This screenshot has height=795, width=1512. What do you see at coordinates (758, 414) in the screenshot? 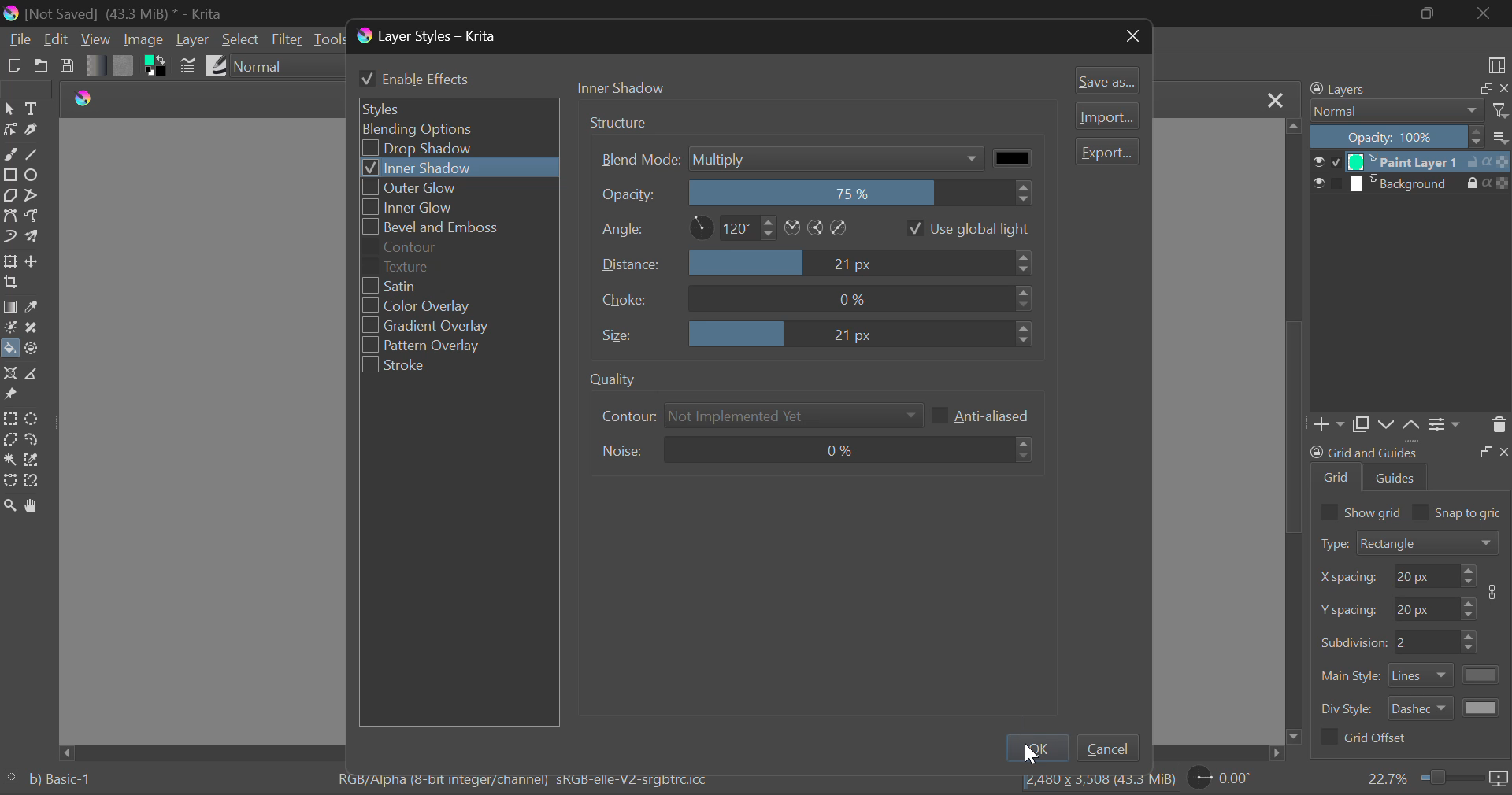
I see `Contour` at bounding box center [758, 414].